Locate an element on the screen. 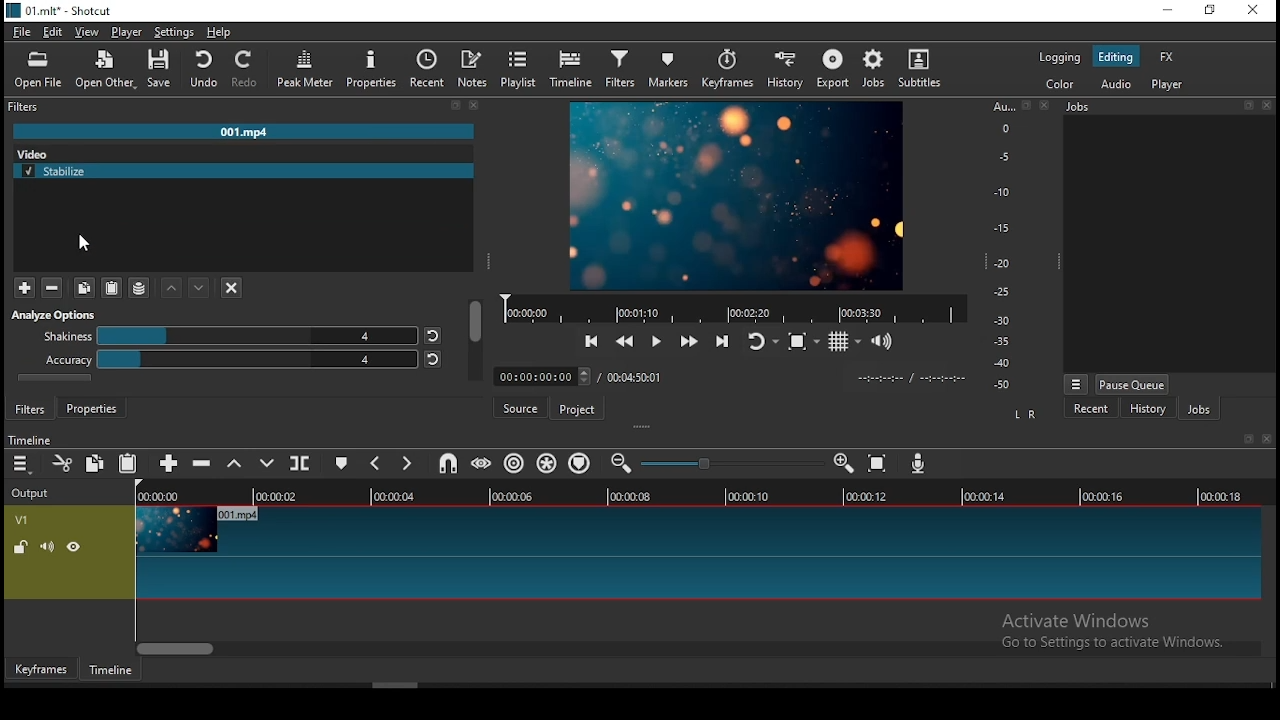 The image size is (1280, 720). properties is located at coordinates (92, 409).